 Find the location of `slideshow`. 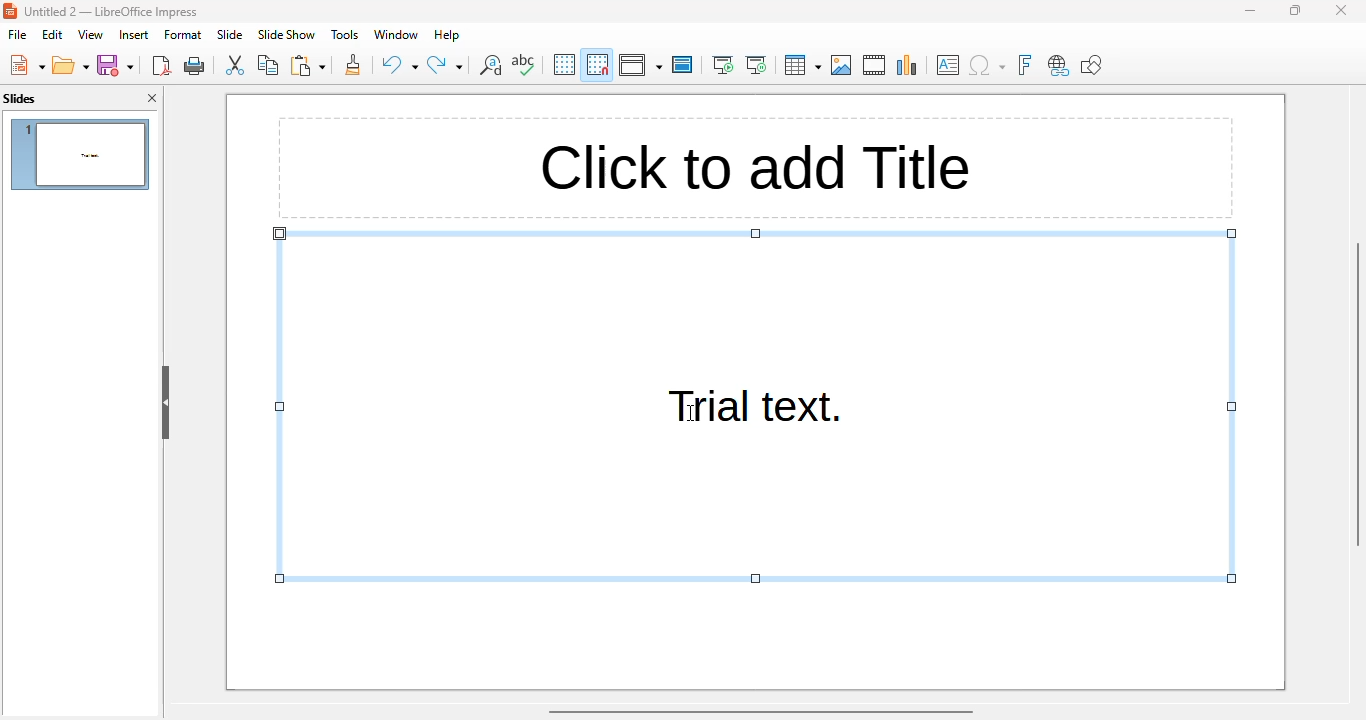

slideshow is located at coordinates (287, 35).